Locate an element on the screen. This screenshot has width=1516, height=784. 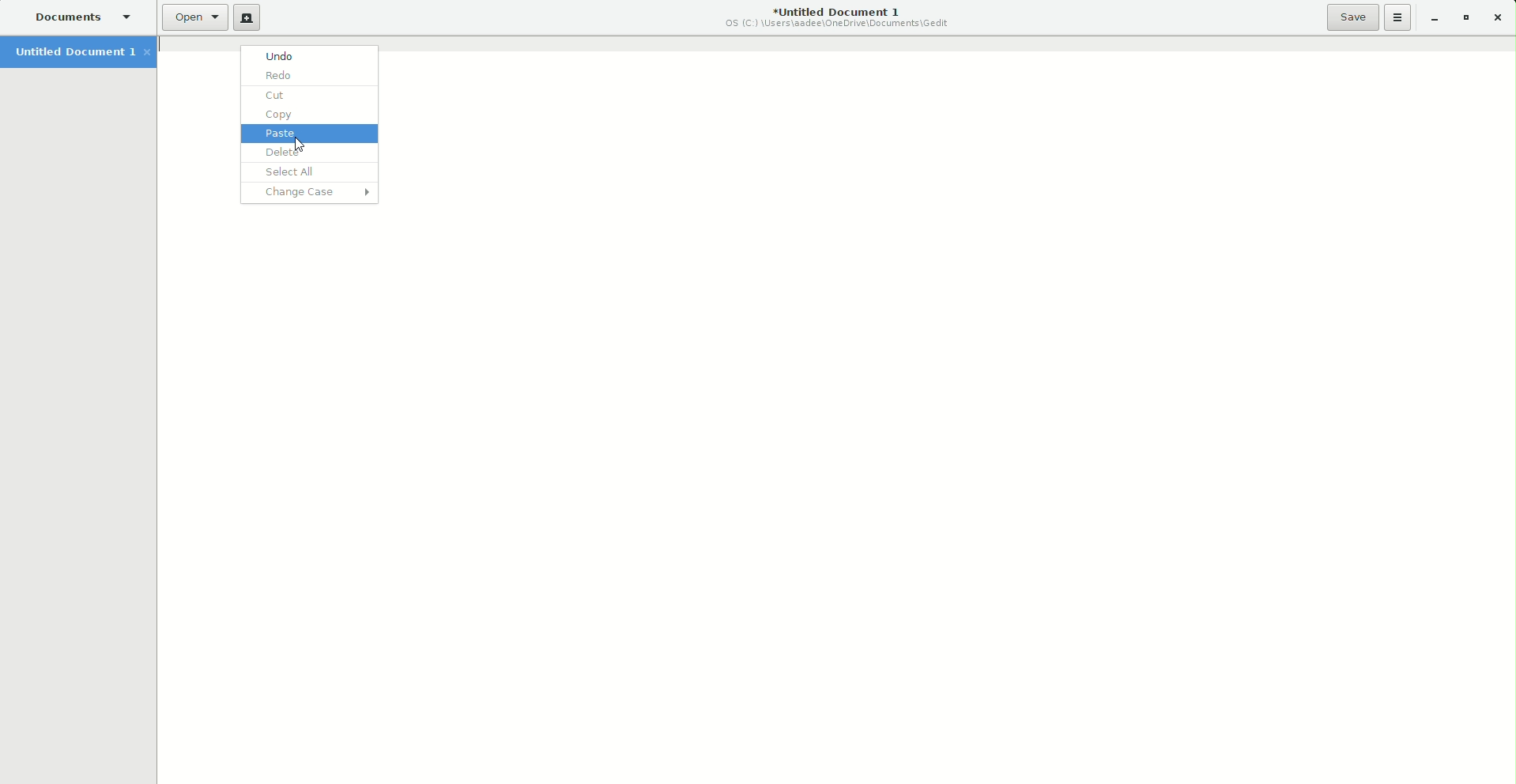
Untitled Document 1 is located at coordinates (839, 15).